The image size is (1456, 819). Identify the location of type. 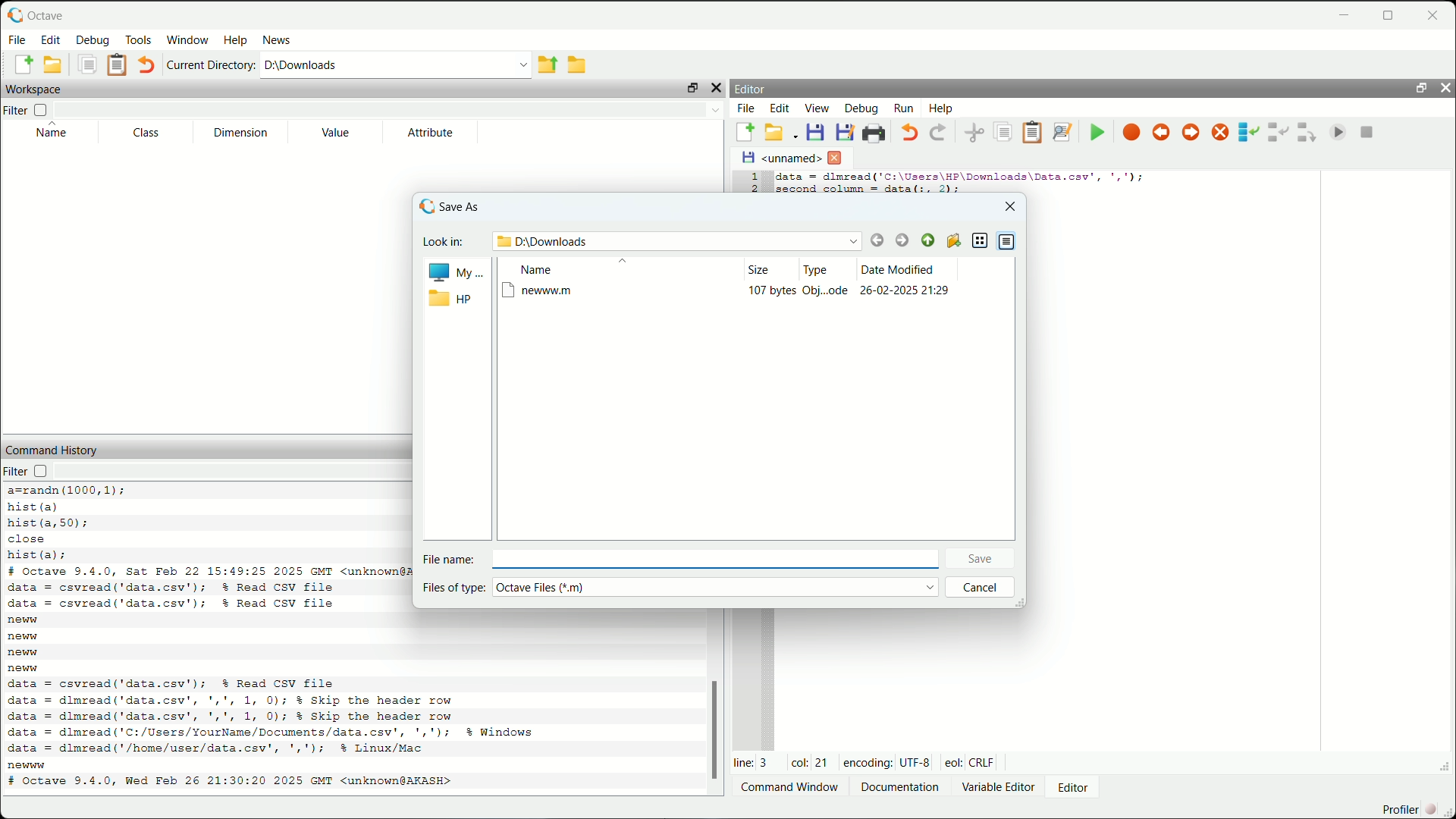
(817, 269).